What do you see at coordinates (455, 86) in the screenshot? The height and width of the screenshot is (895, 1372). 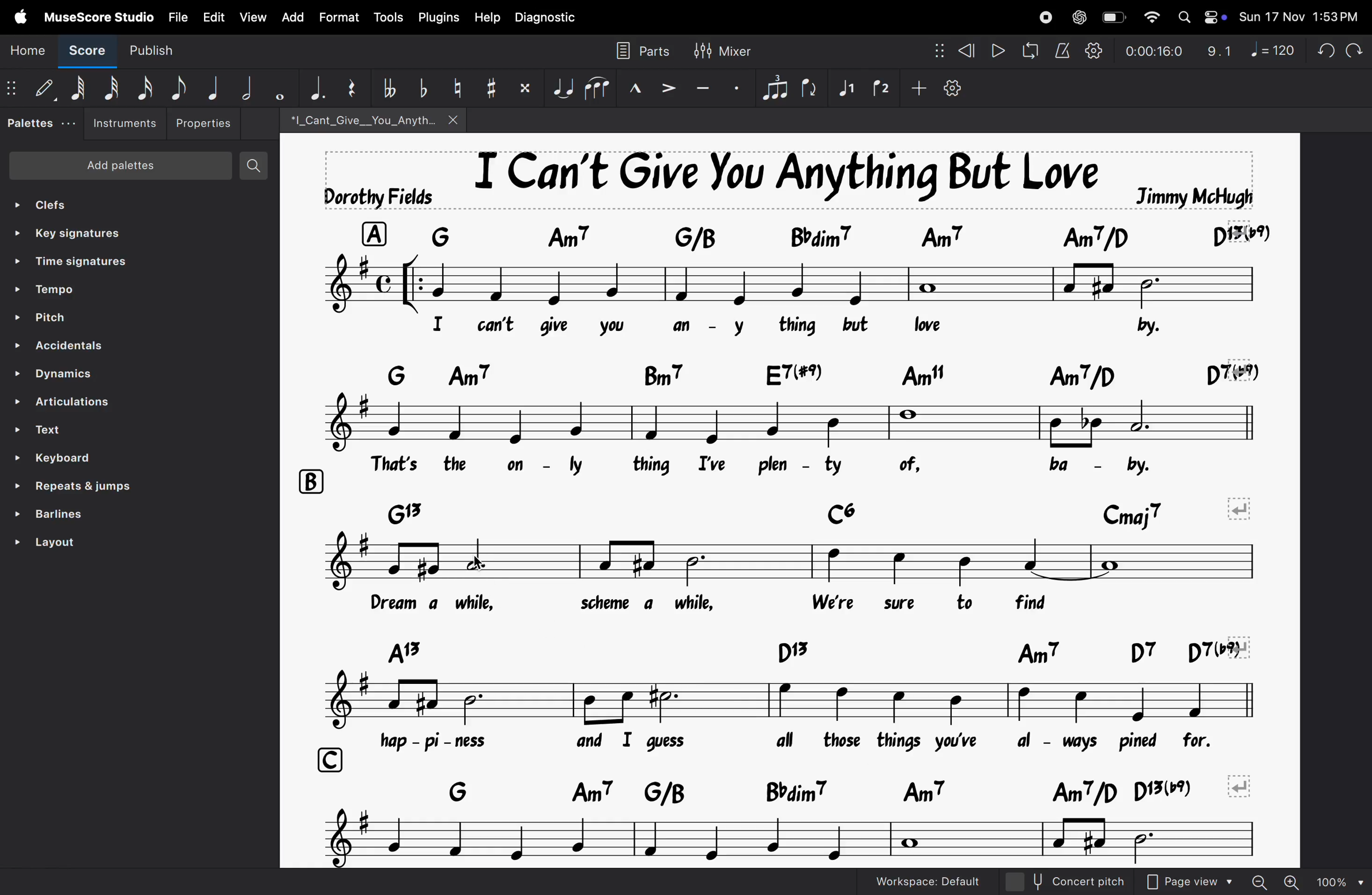 I see `toggle natural` at bounding box center [455, 86].